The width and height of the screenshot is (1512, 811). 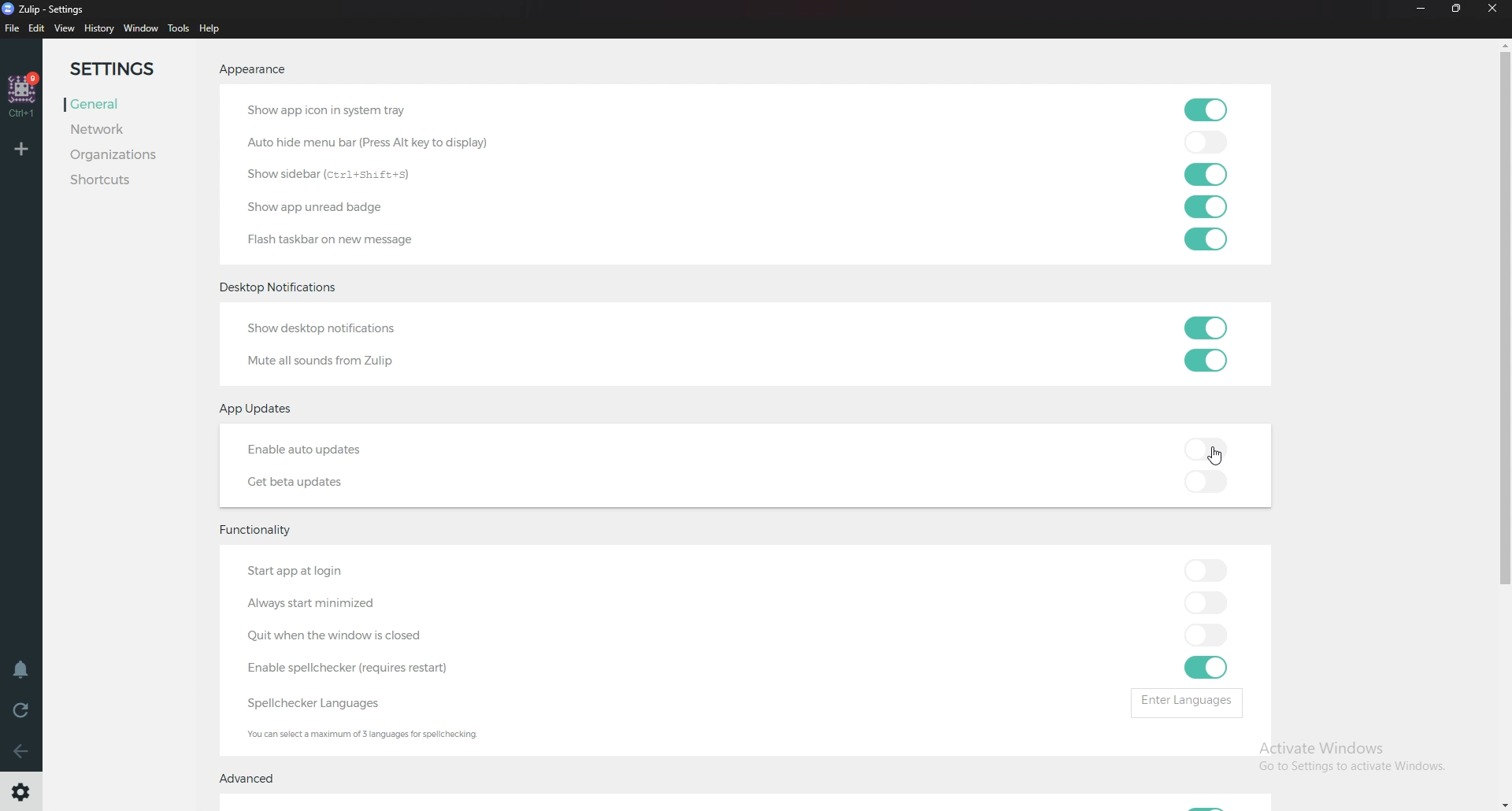 What do you see at coordinates (332, 108) in the screenshot?
I see `Show app icon in system tray` at bounding box center [332, 108].